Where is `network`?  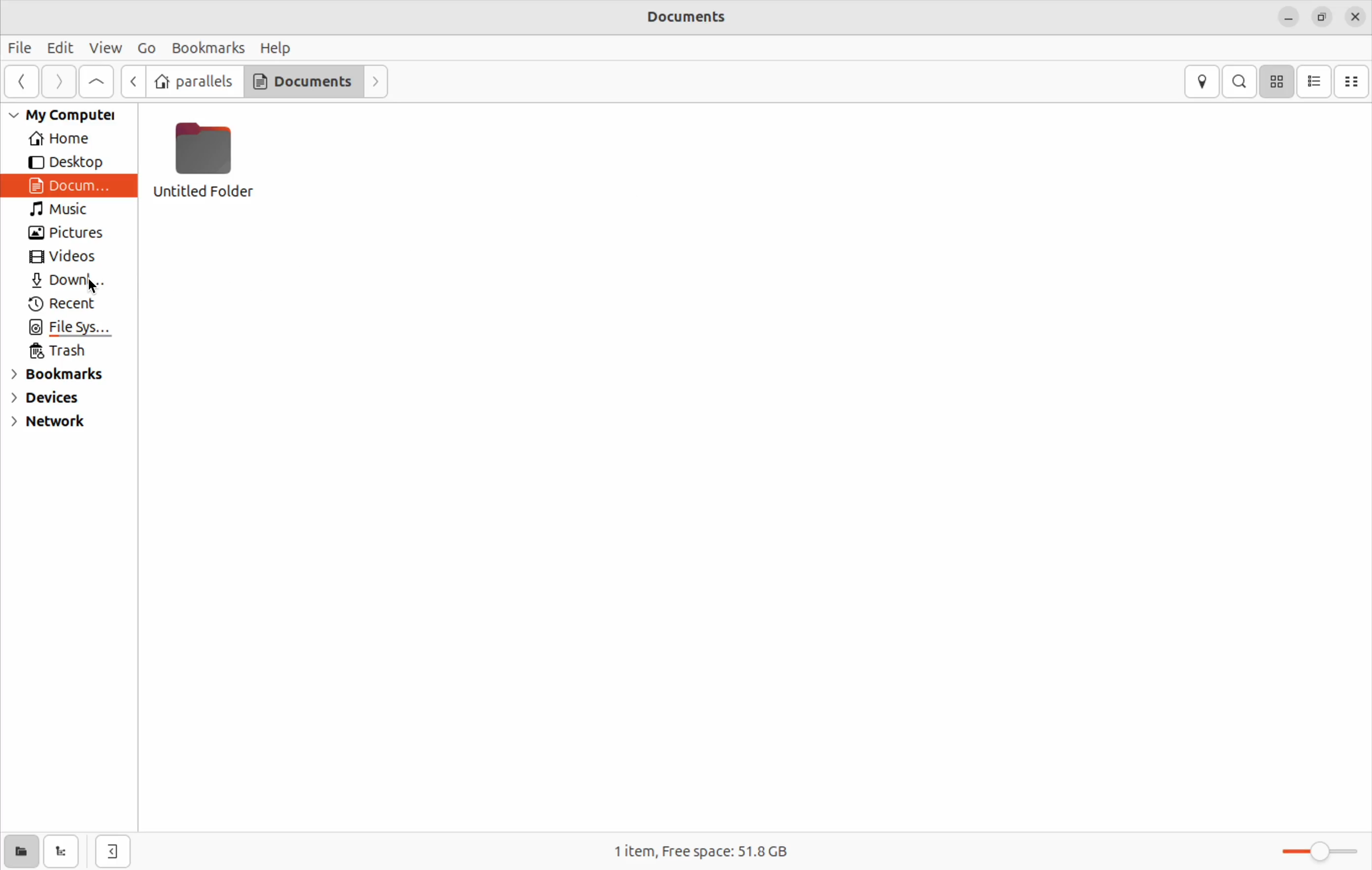 network is located at coordinates (67, 424).